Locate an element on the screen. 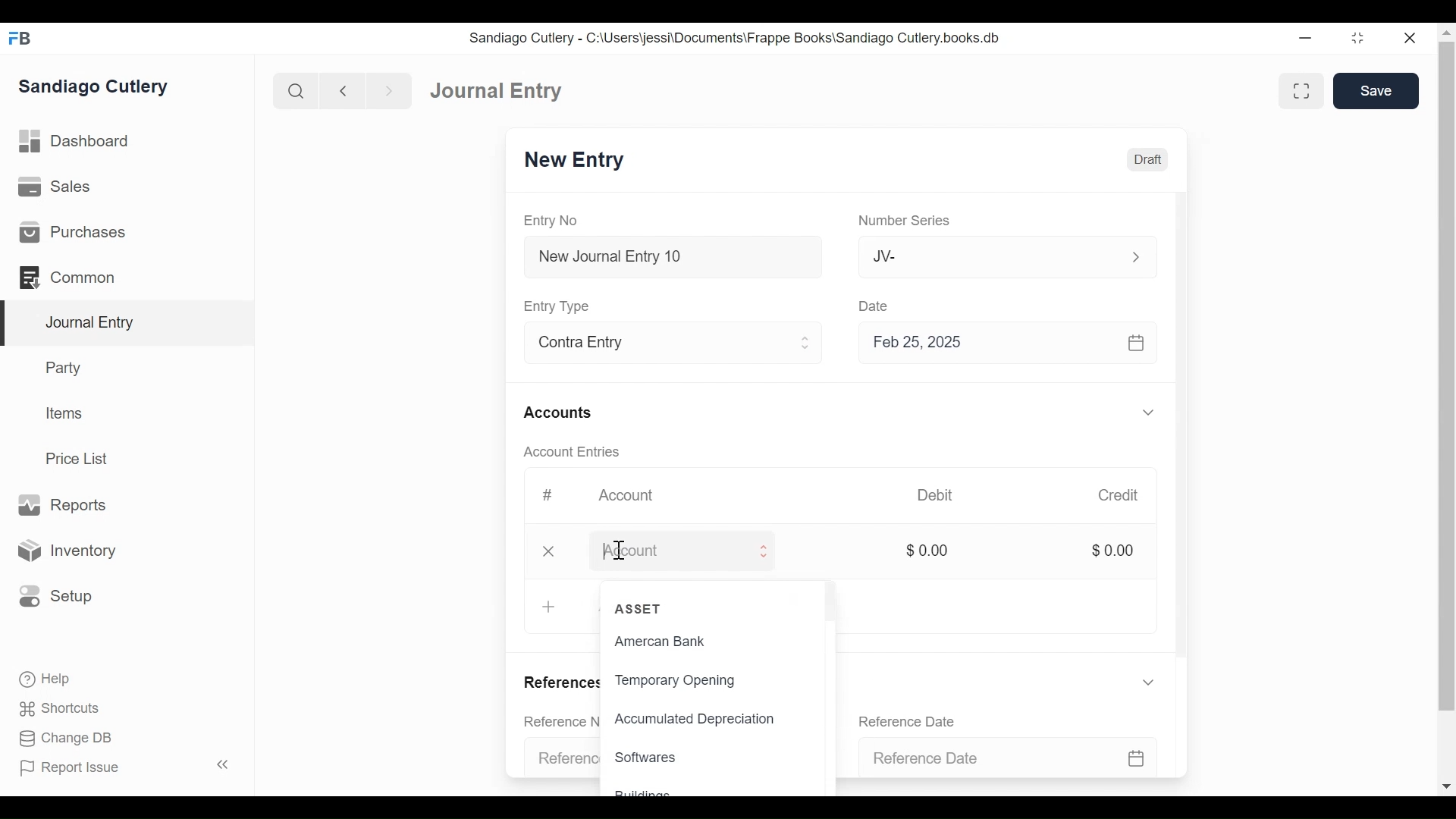 The width and height of the screenshot is (1456, 819). Navigate Back is located at coordinates (344, 91).